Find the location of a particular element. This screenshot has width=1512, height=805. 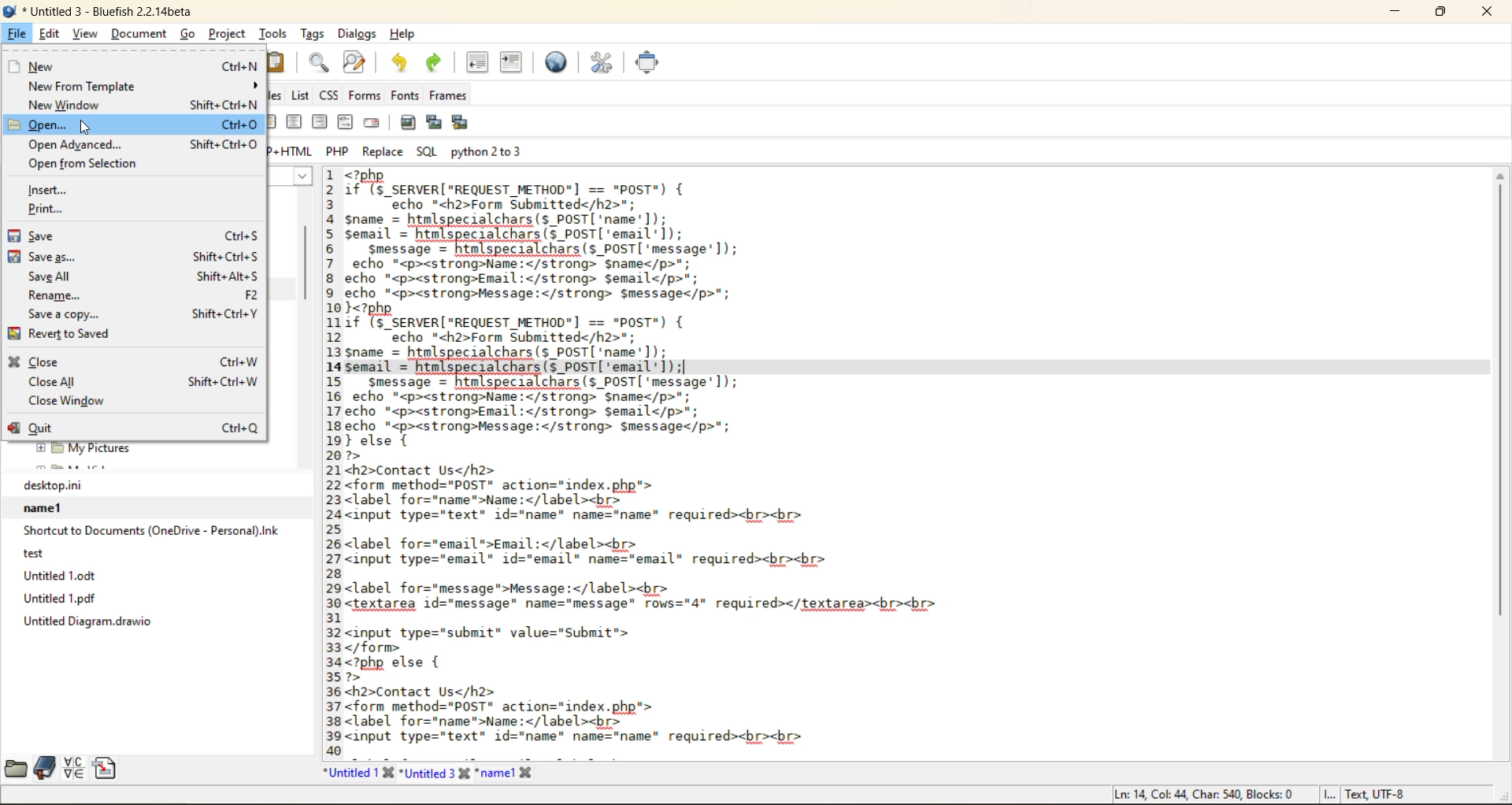

php + html is located at coordinates (293, 154).